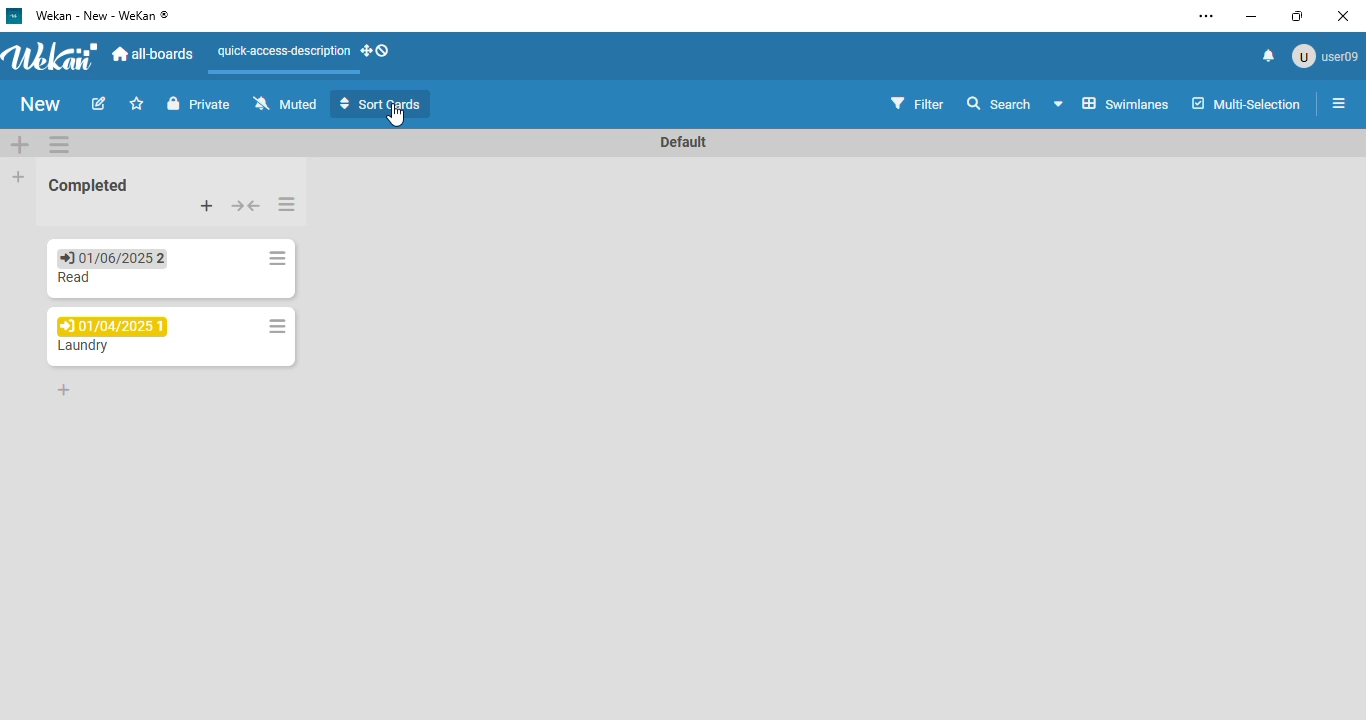  I want to click on notifications, so click(1269, 56).